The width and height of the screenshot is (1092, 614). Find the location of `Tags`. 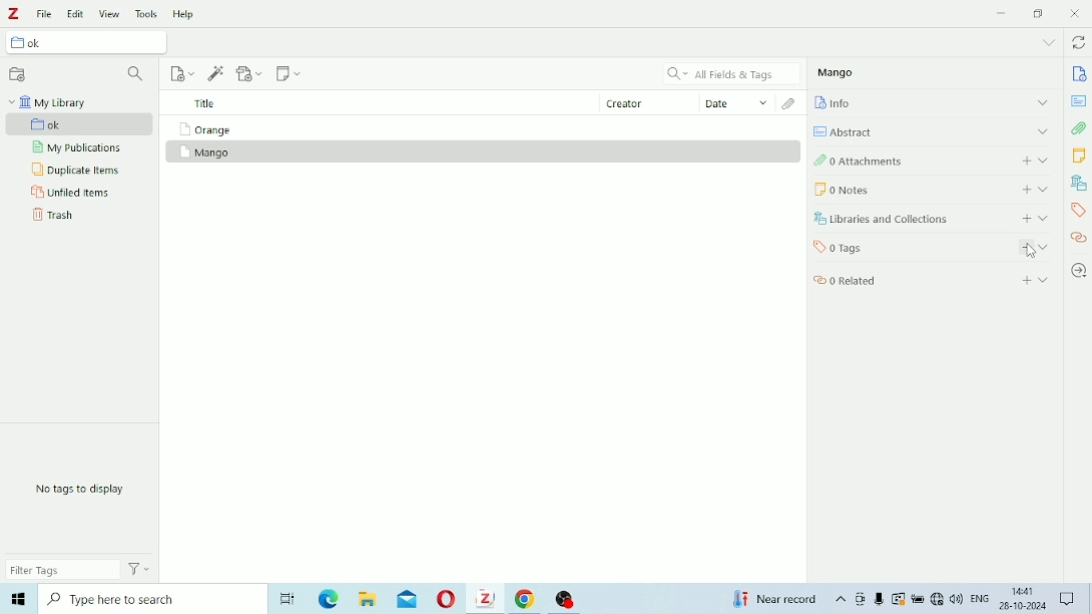

Tags is located at coordinates (934, 247).